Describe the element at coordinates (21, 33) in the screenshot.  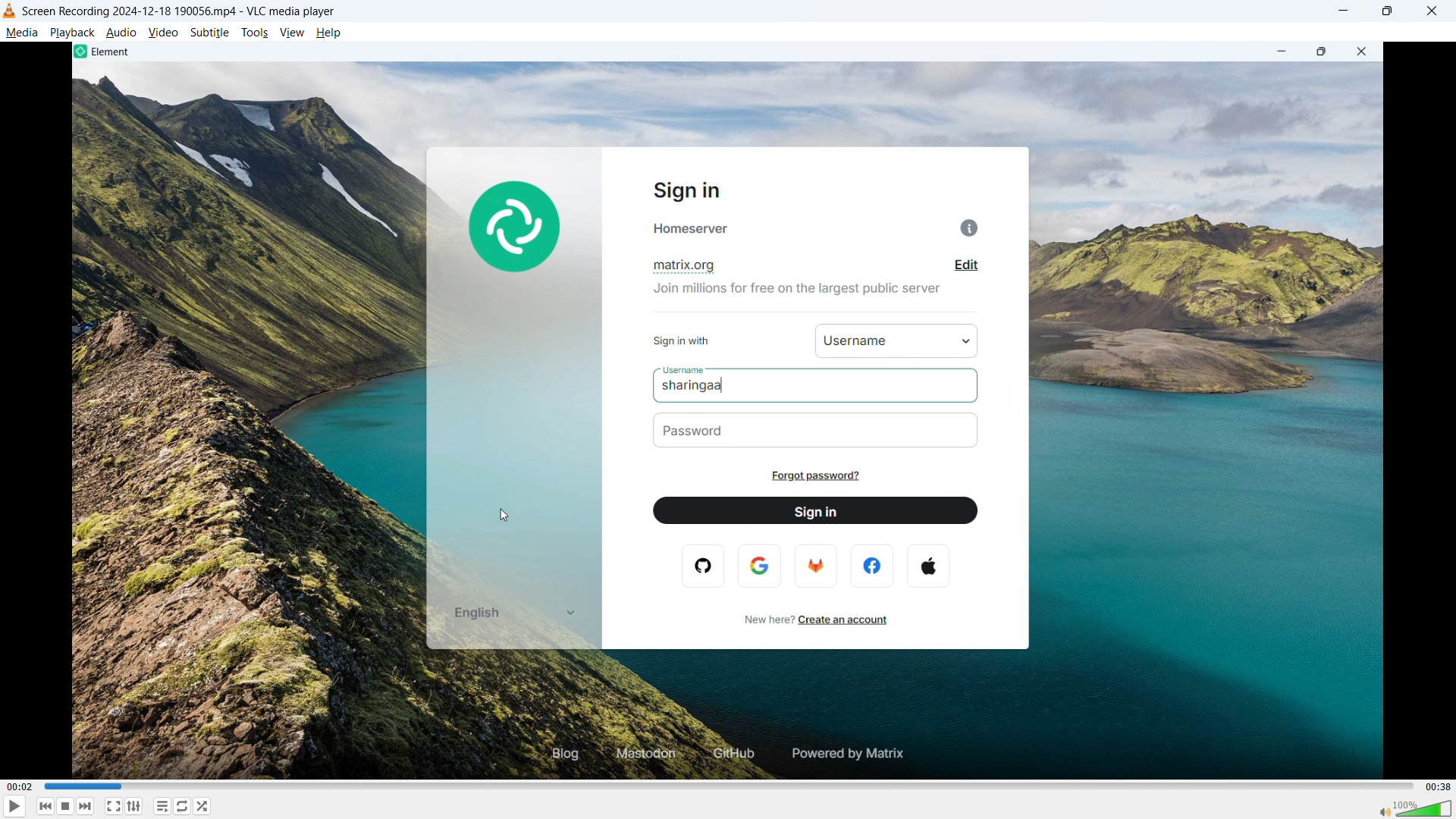
I see `Media ` at that location.